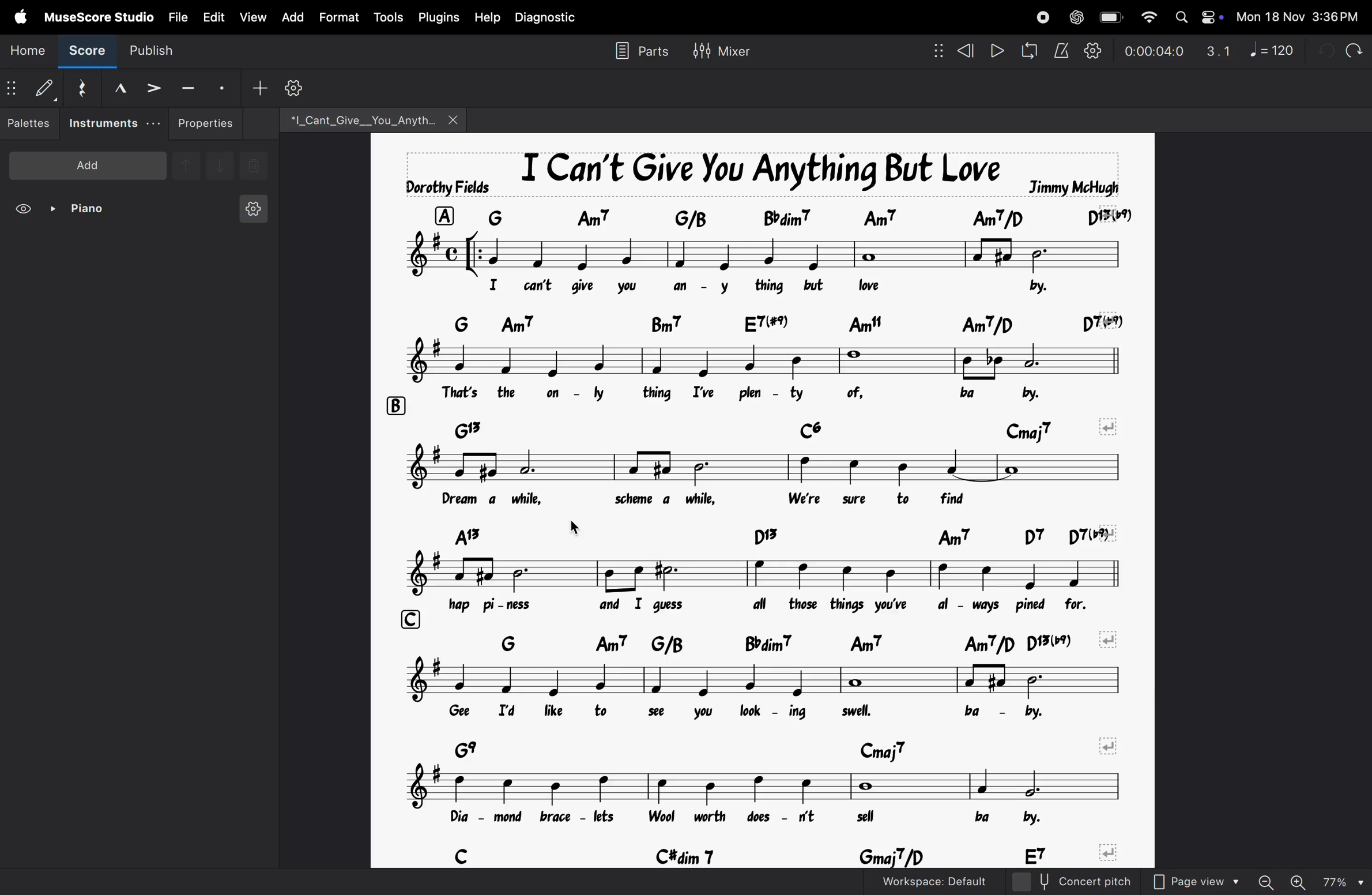  Describe the element at coordinates (188, 87) in the screenshot. I see `tenuto` at that location.